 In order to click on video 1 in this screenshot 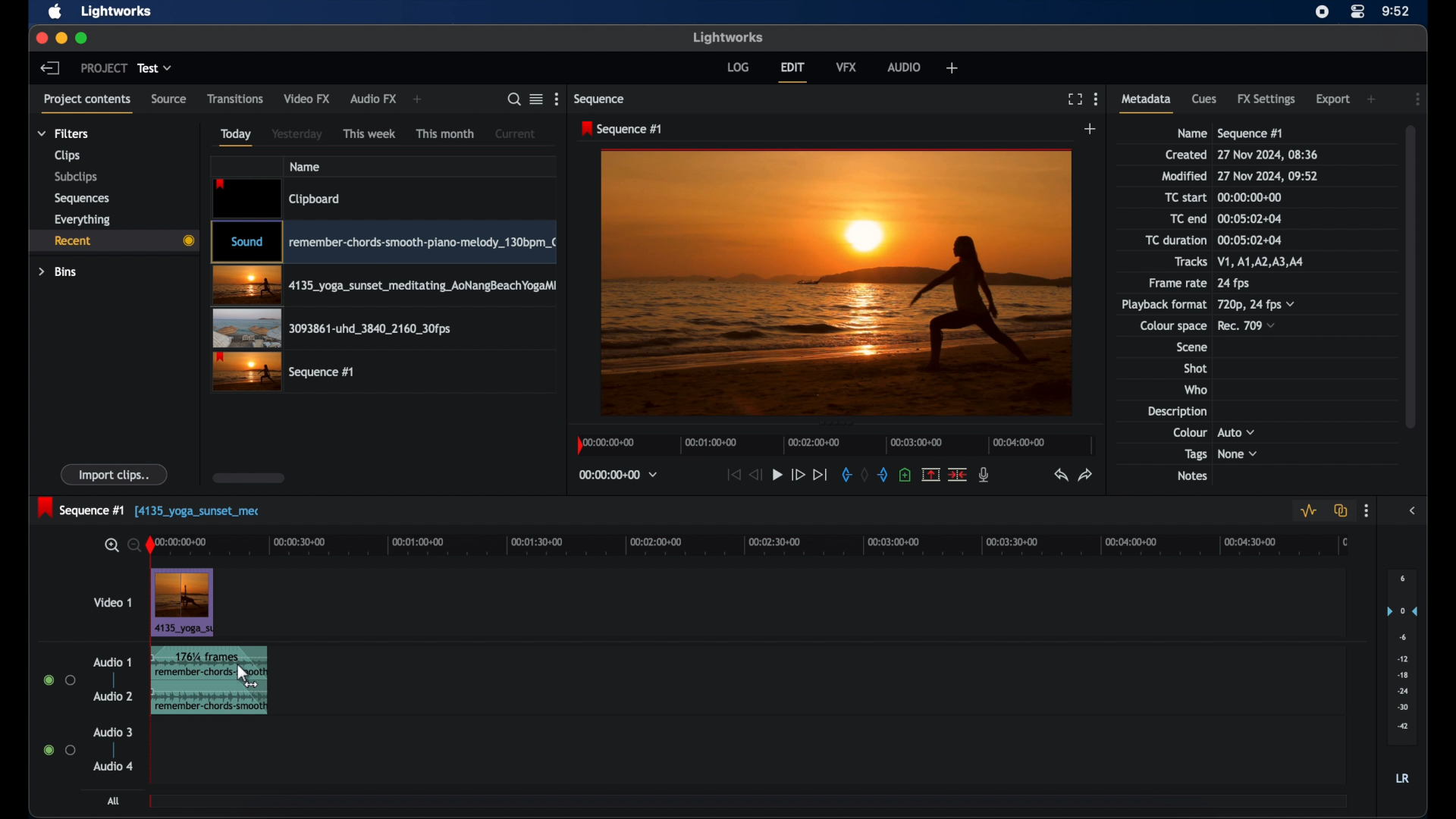, I will do `click(111, 602)`.